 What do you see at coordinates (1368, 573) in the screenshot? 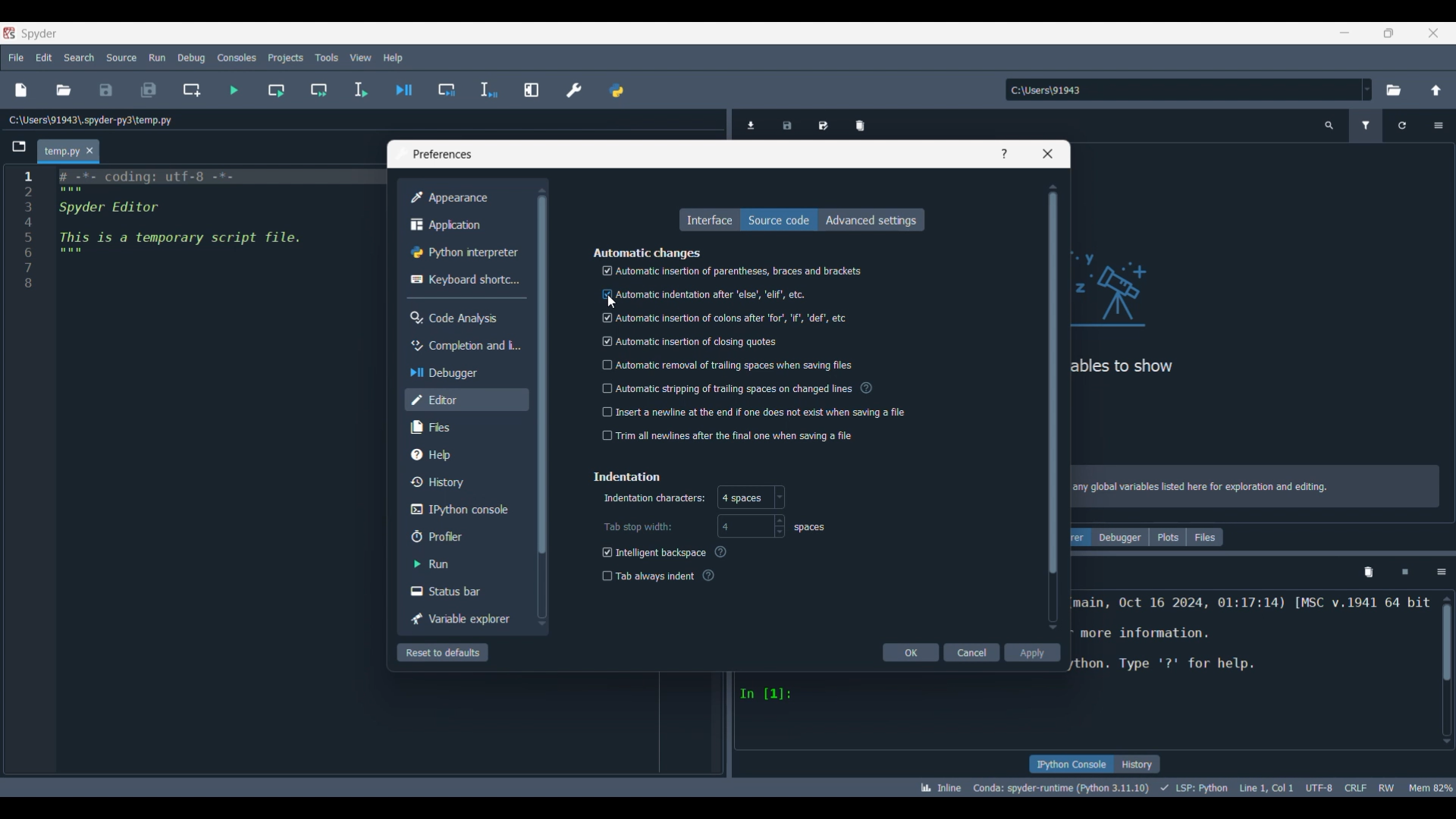
I see `Remove all variables from namespace` at bounding box center [1368, 573].